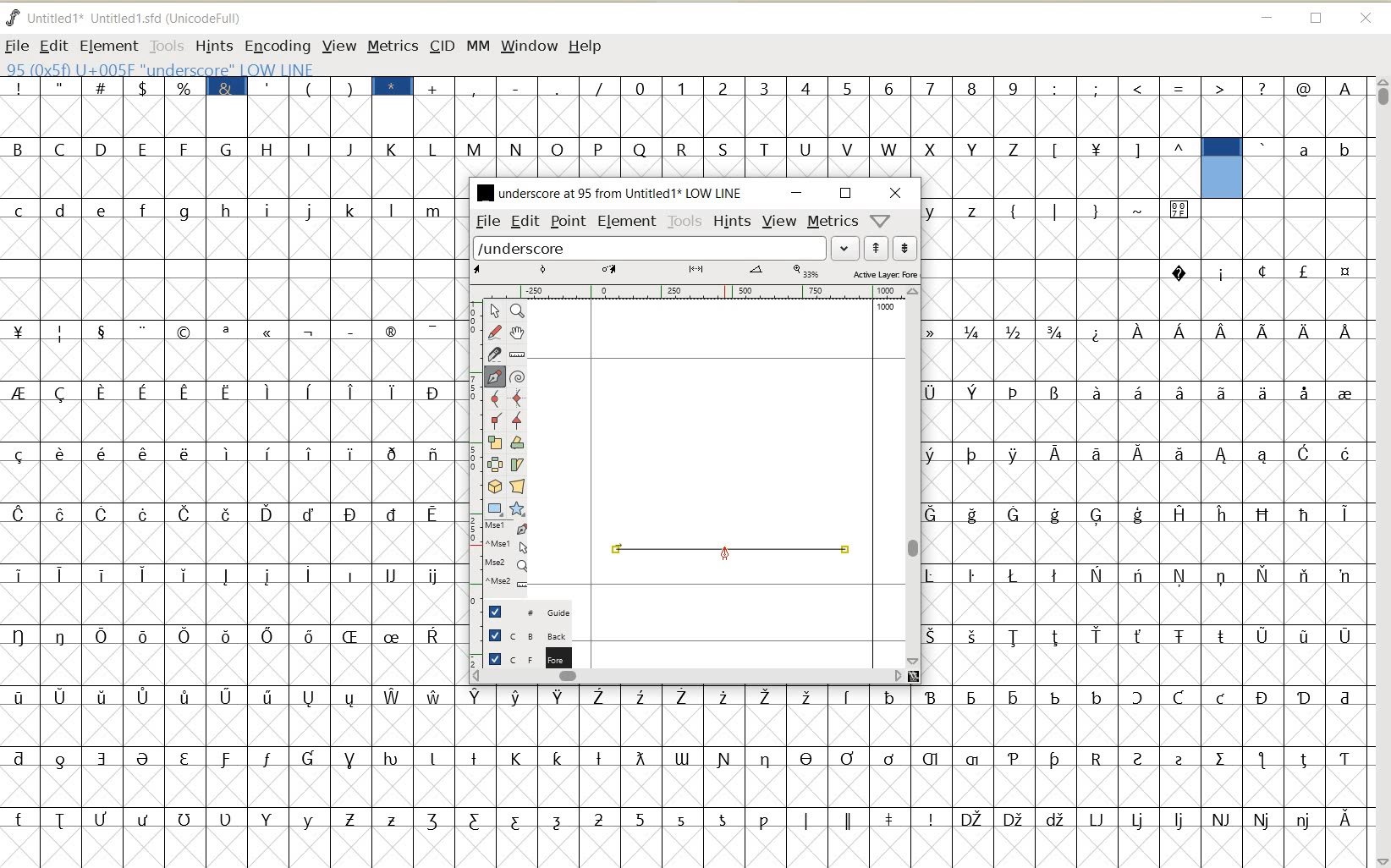  I want to click on FONT NAME, so click(138, 18).